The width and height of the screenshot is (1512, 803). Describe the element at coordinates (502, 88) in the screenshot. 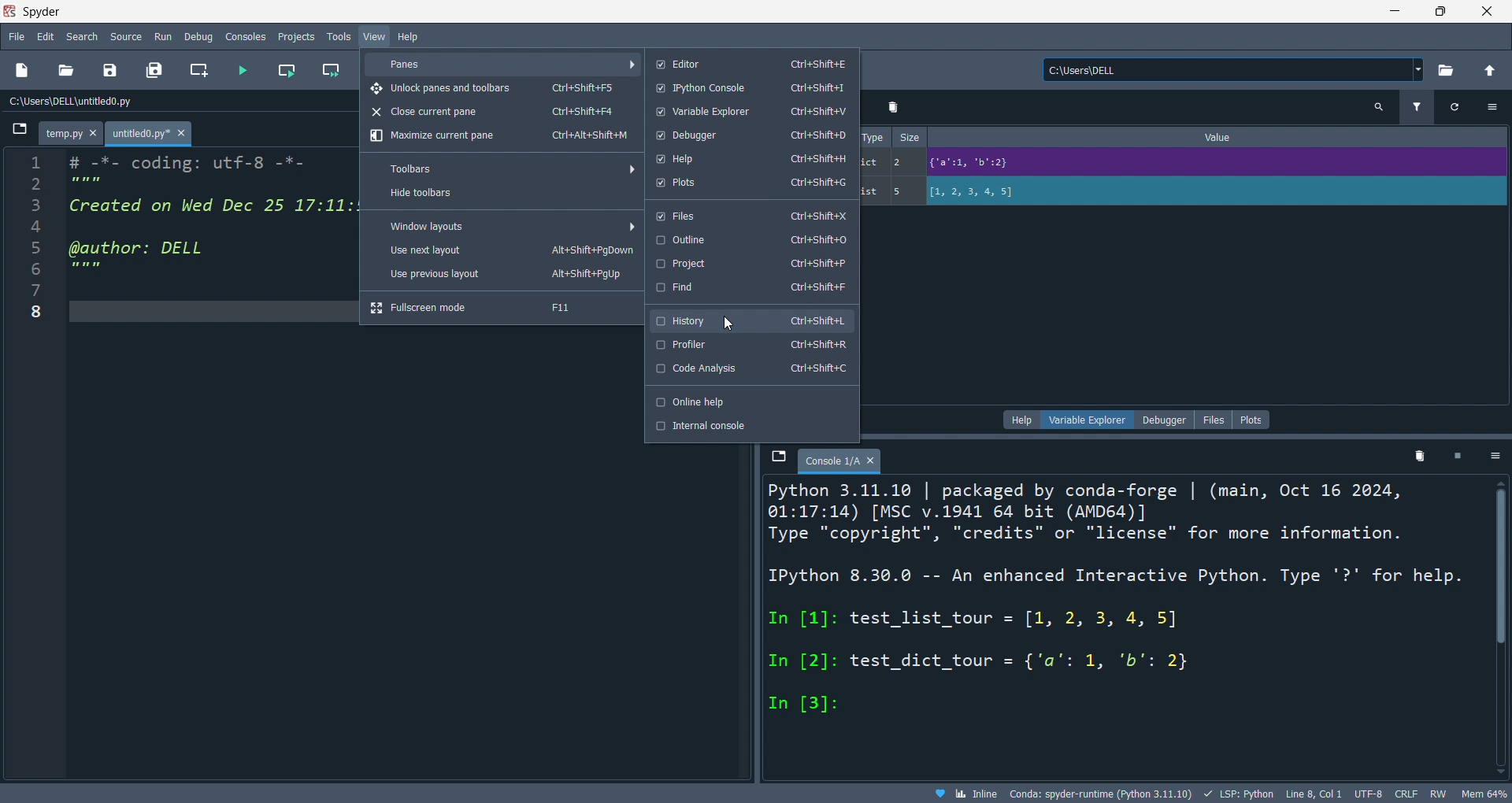

I see `unlock panes and toolbars` at that location.